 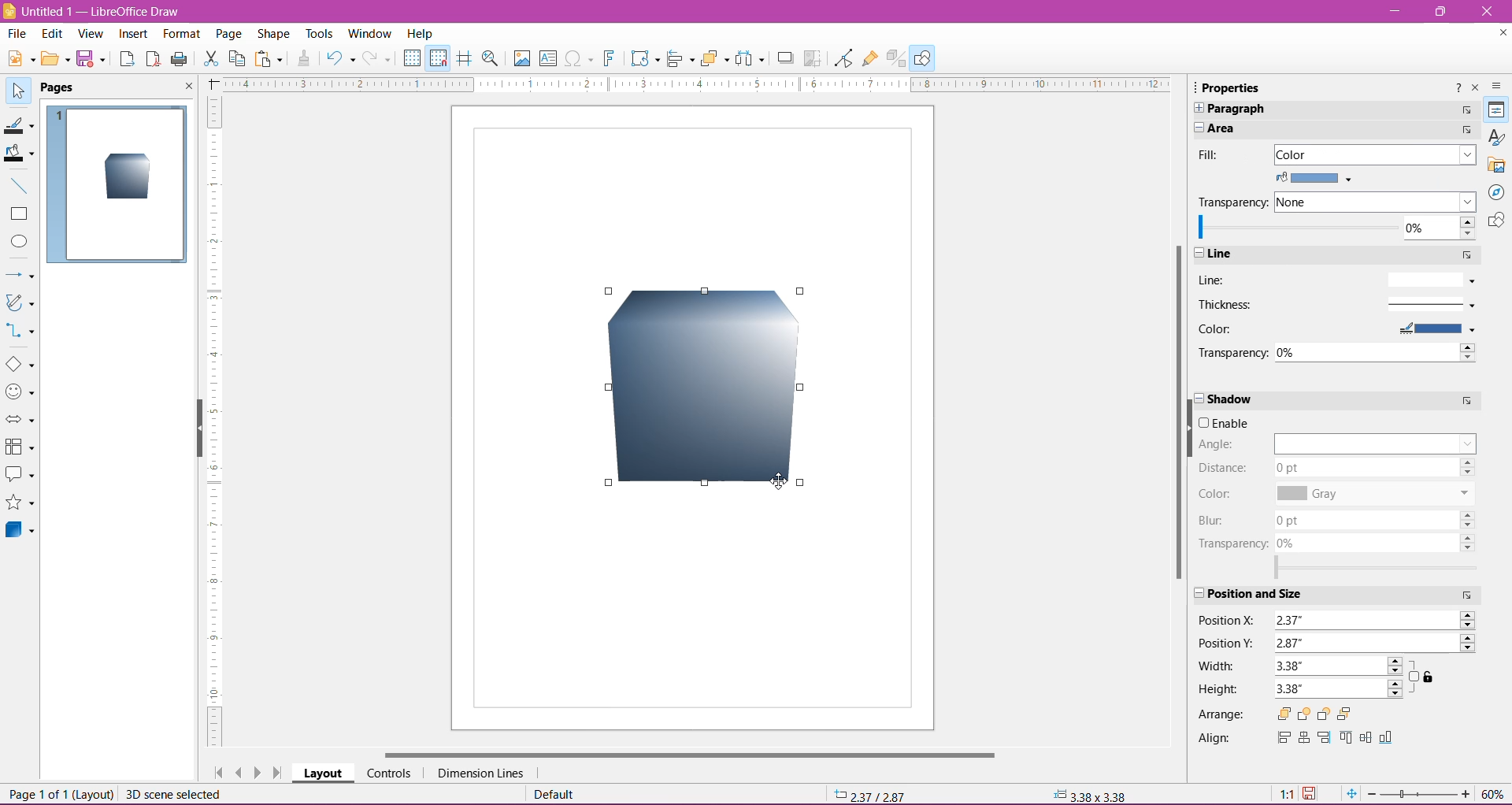 I want to click on Page, so click(x=228, y=36).